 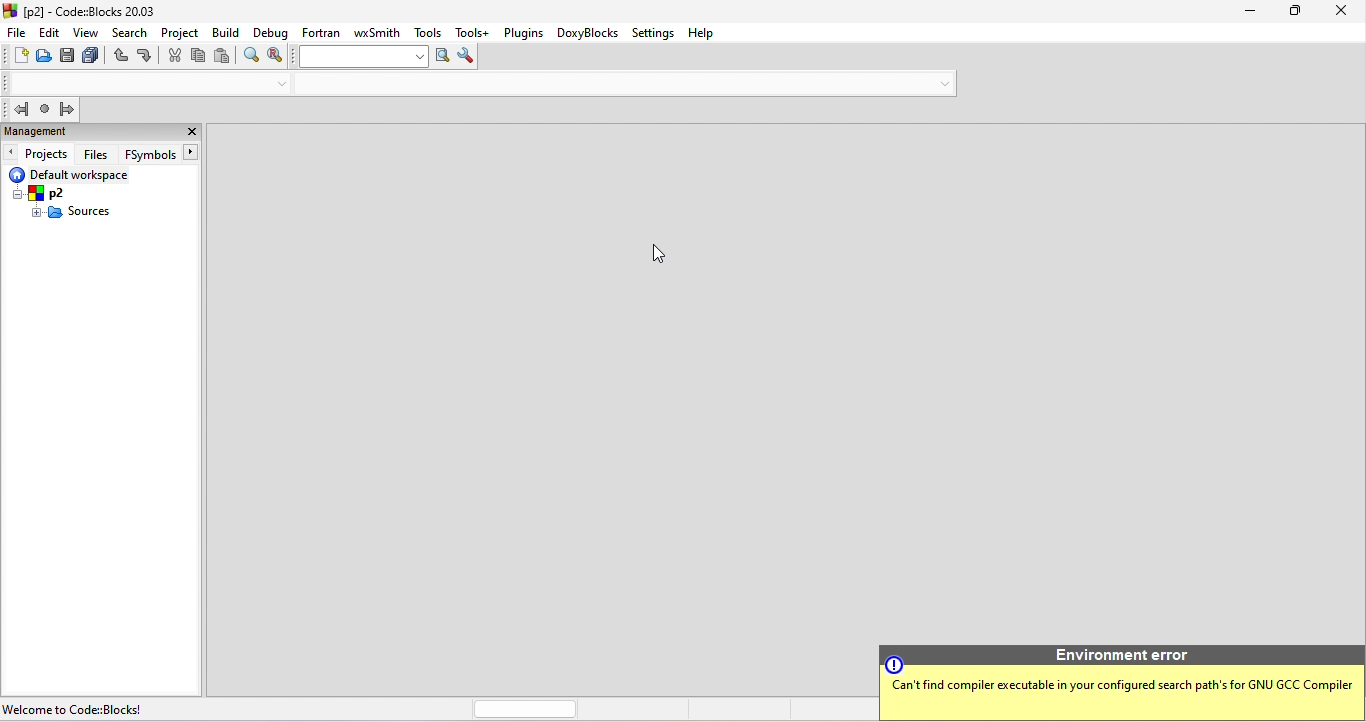 I want to click on tools++, so click(x=475, y=34).